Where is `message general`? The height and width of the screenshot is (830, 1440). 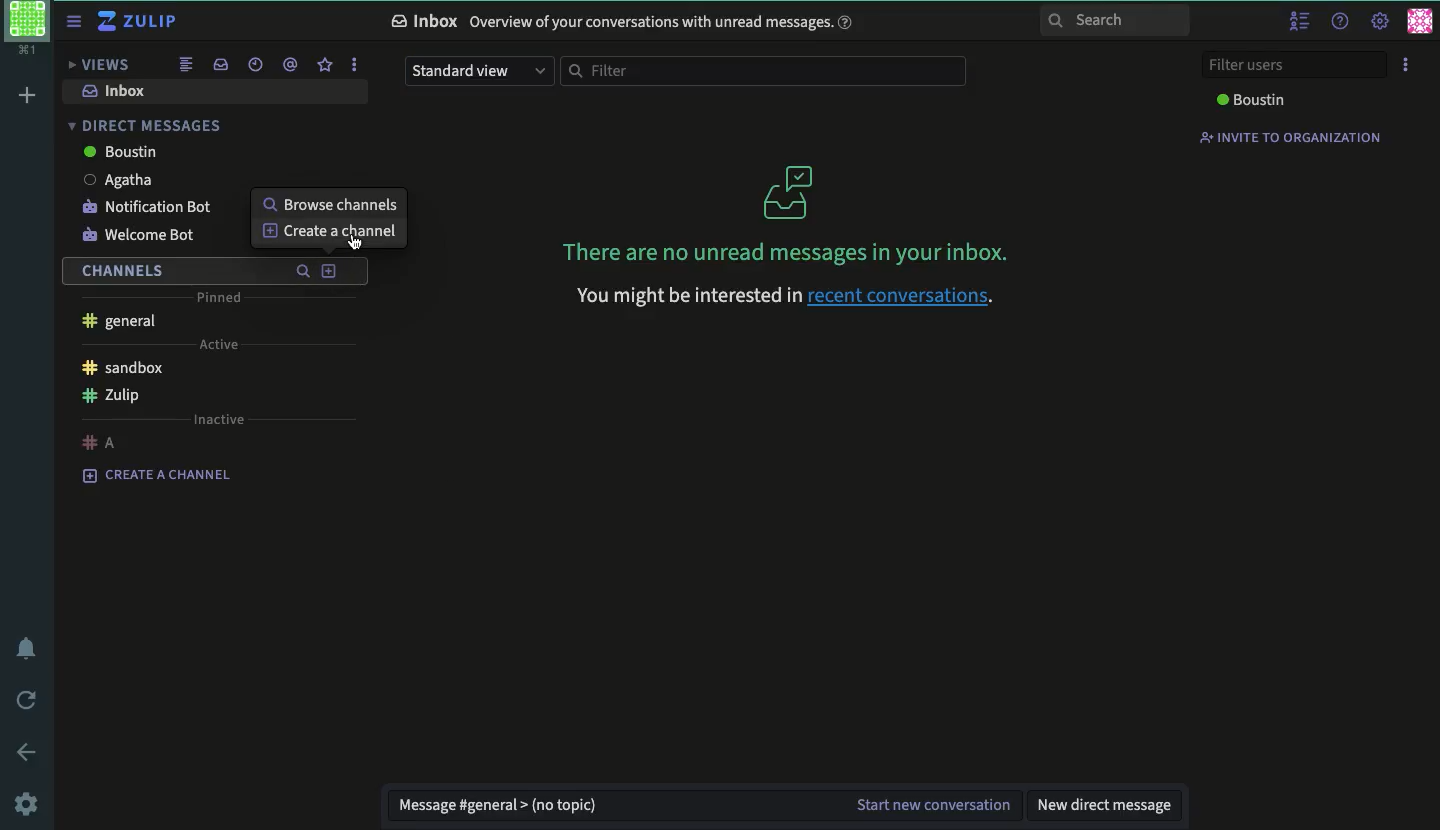
message general is located at coordinates (497, 806).